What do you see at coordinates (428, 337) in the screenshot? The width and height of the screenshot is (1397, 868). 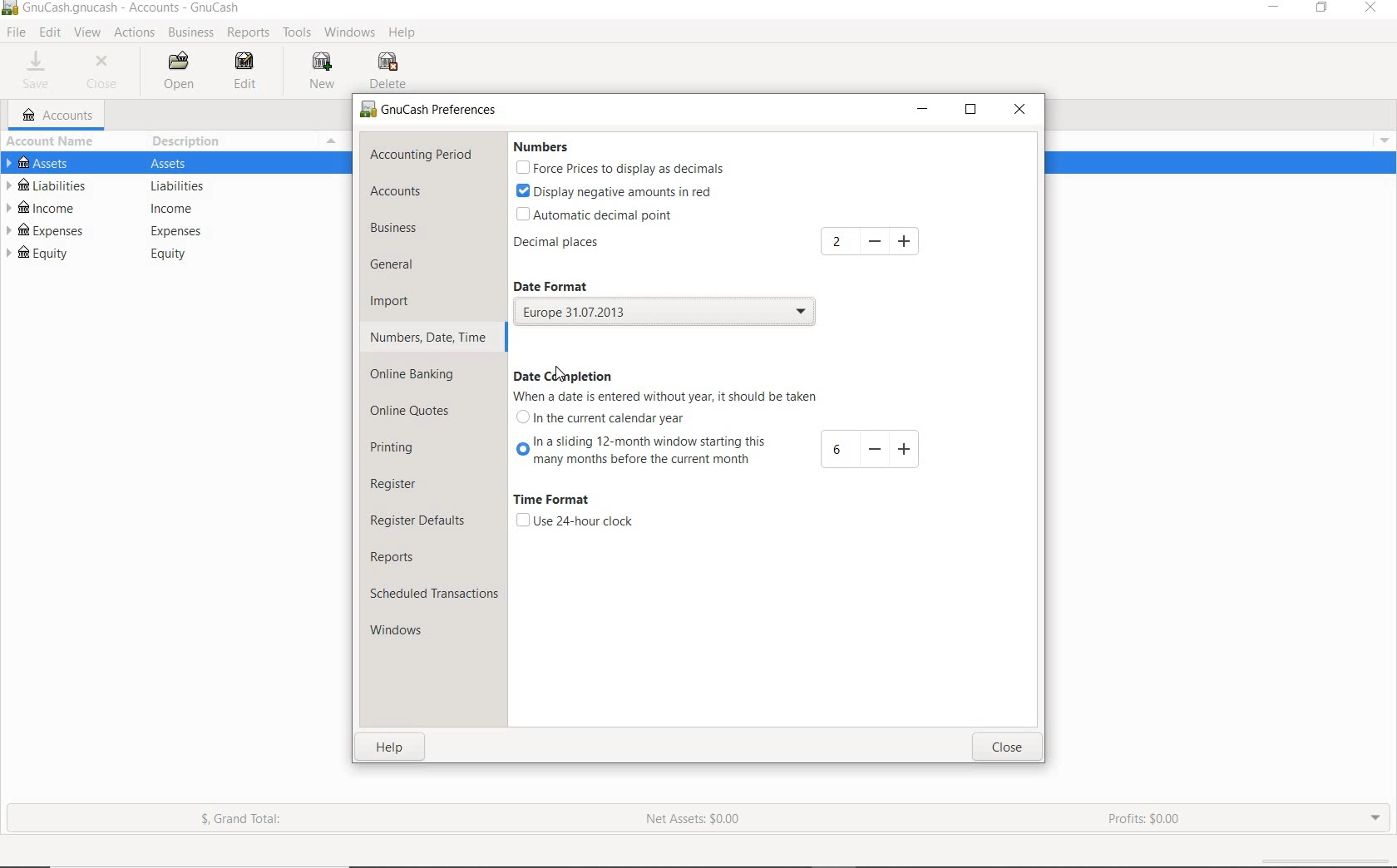 I see `numbers, date, time` at bounding box center [428, 337].